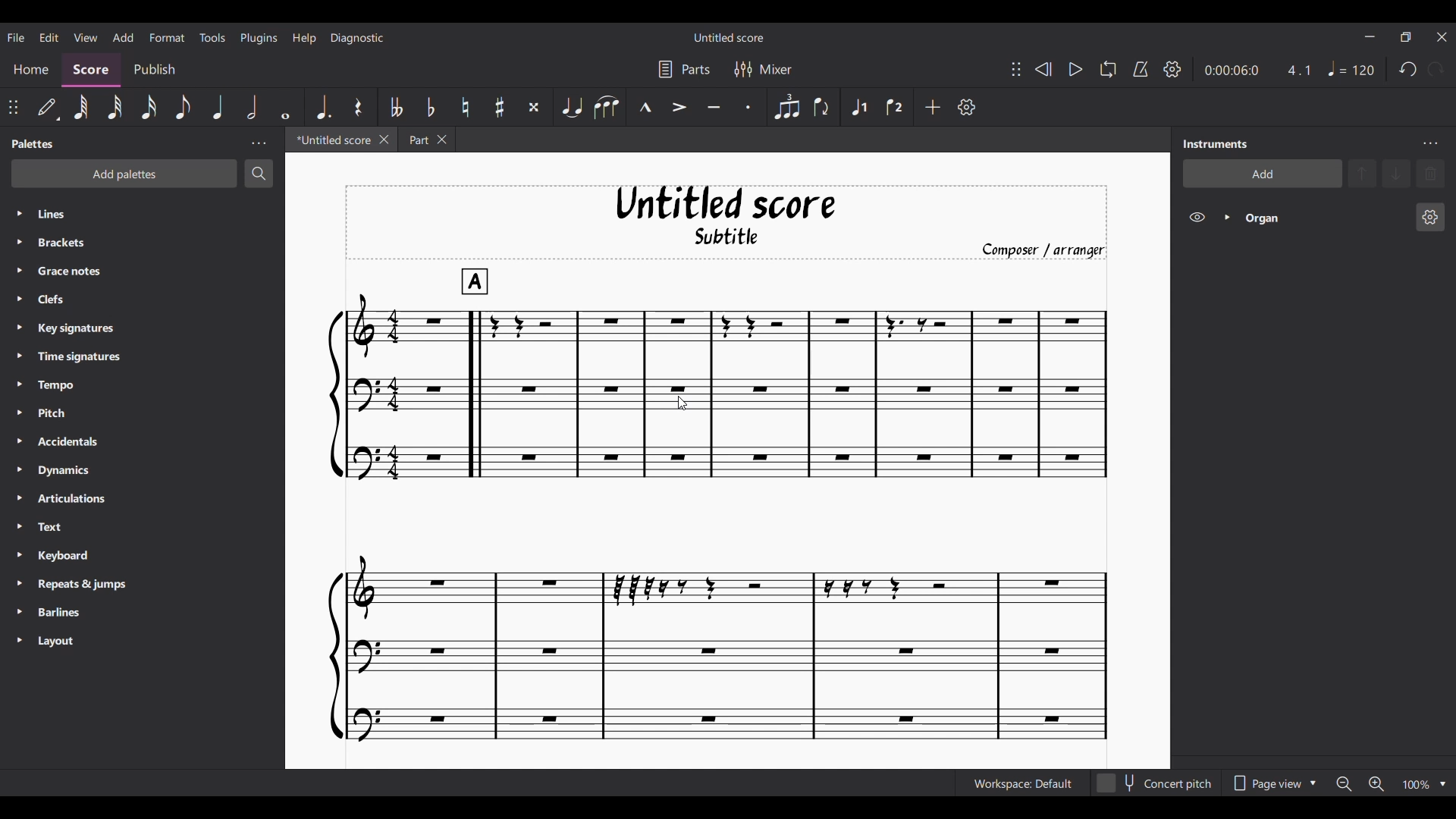  What do you see at coordinates (1262, 174) in the screenshot?
I see `Add instrument` at bounding box center [1262, 174].